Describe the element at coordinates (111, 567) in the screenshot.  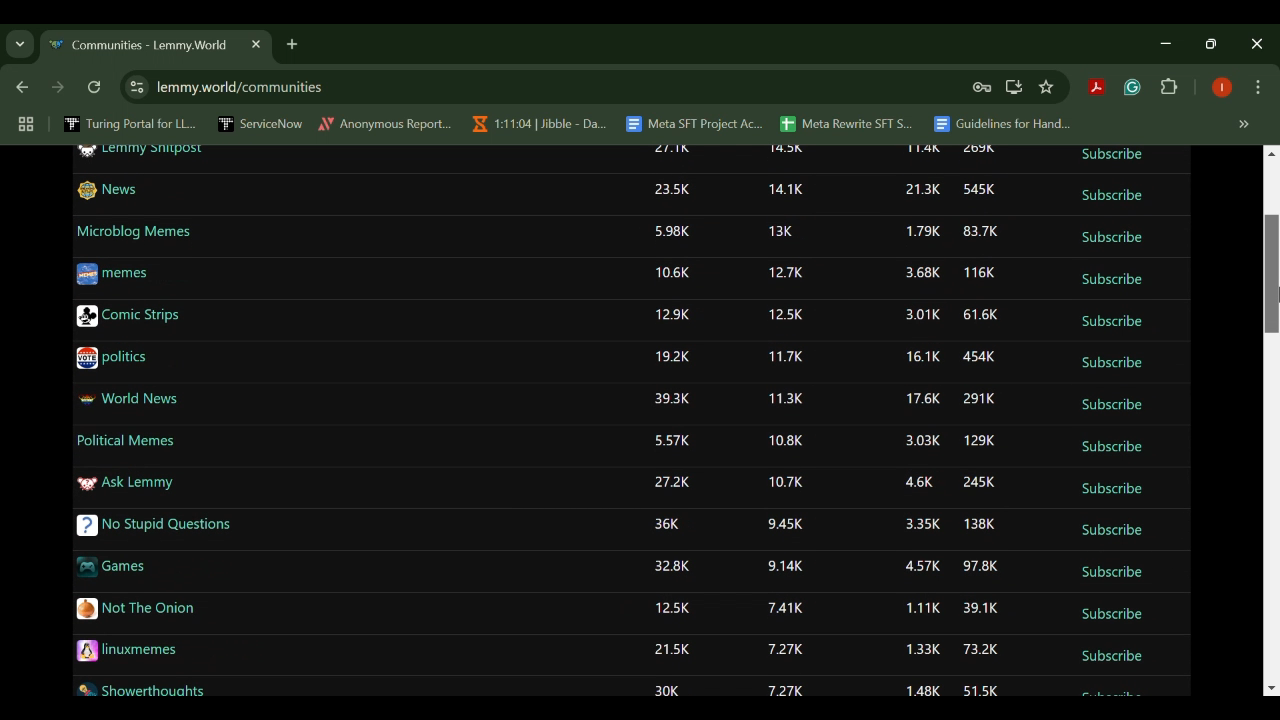
I see `Games` at that location.